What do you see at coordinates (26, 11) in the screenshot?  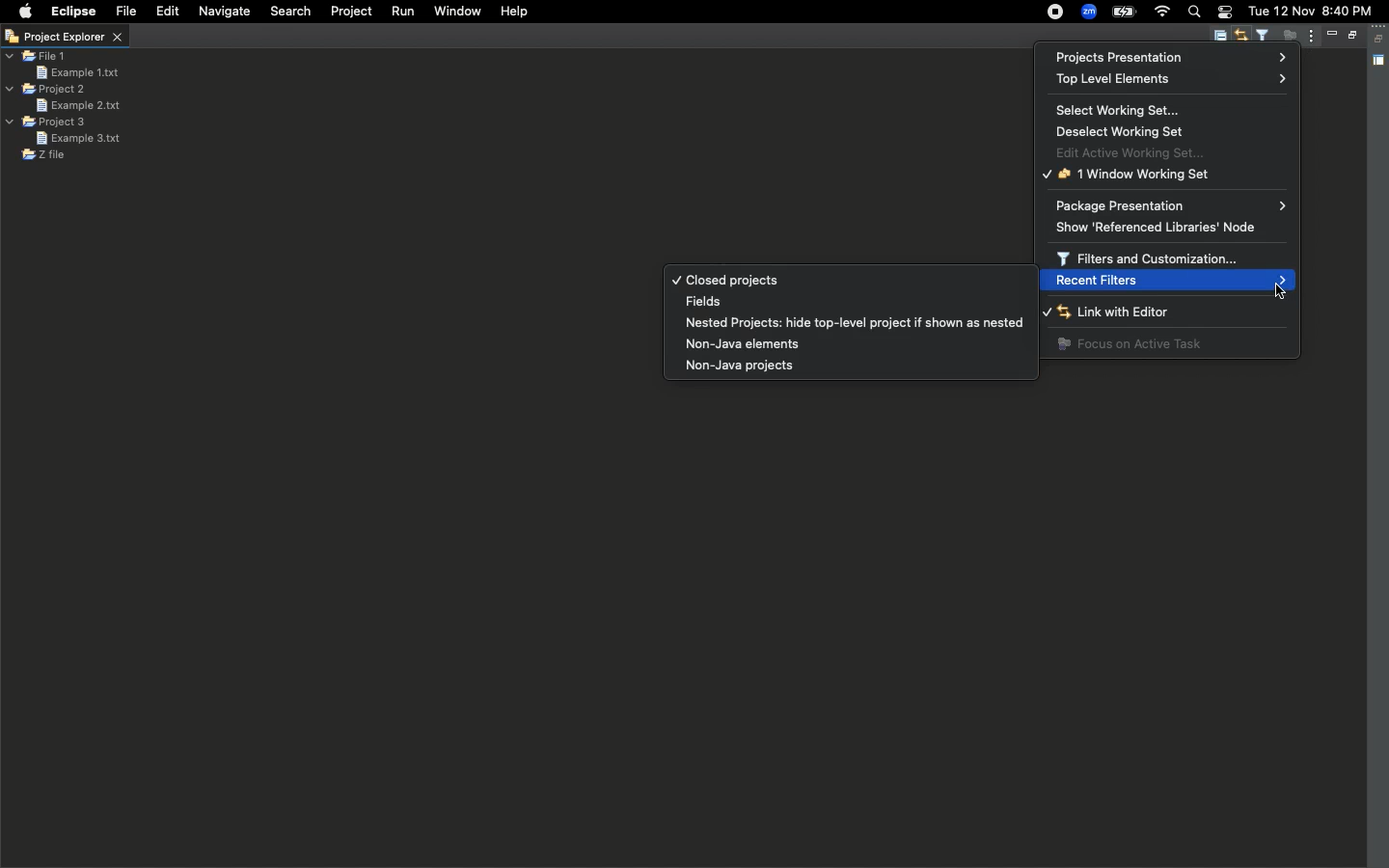 I see `Apple logo` at bounding box center [26, 11].